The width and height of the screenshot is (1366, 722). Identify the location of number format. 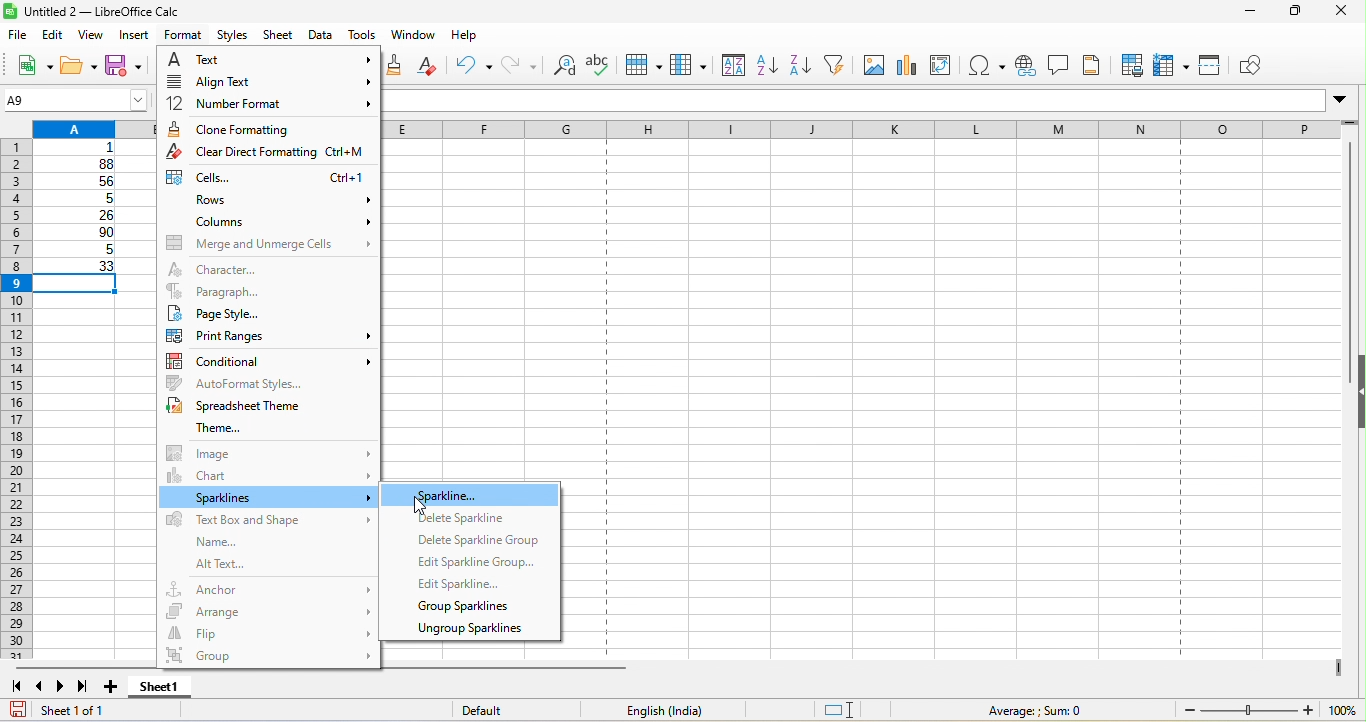
(266, 105).